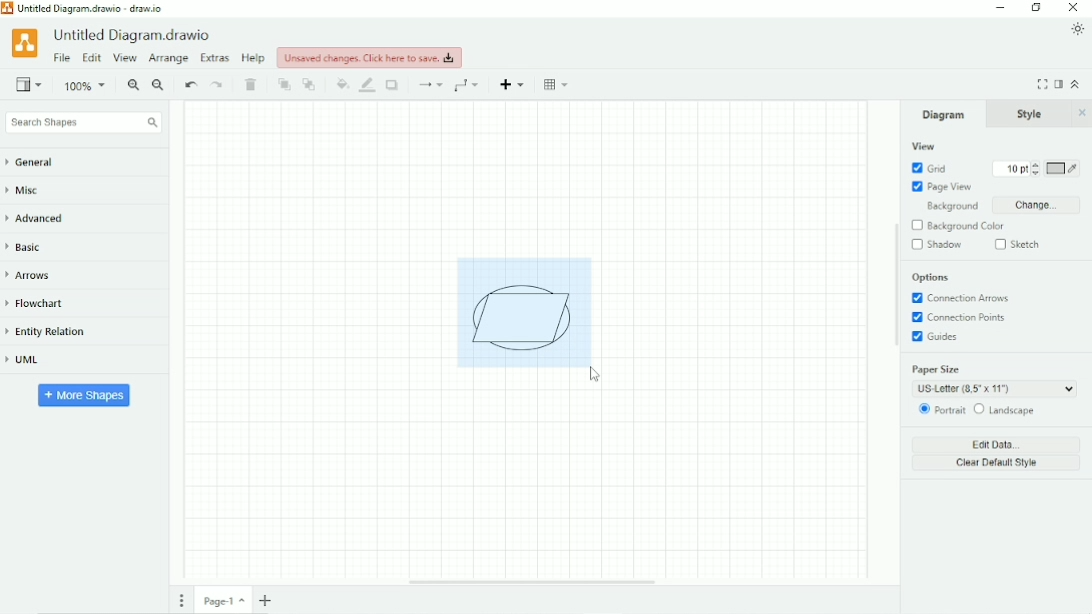  I want to click on Change, so click(1035, 205).